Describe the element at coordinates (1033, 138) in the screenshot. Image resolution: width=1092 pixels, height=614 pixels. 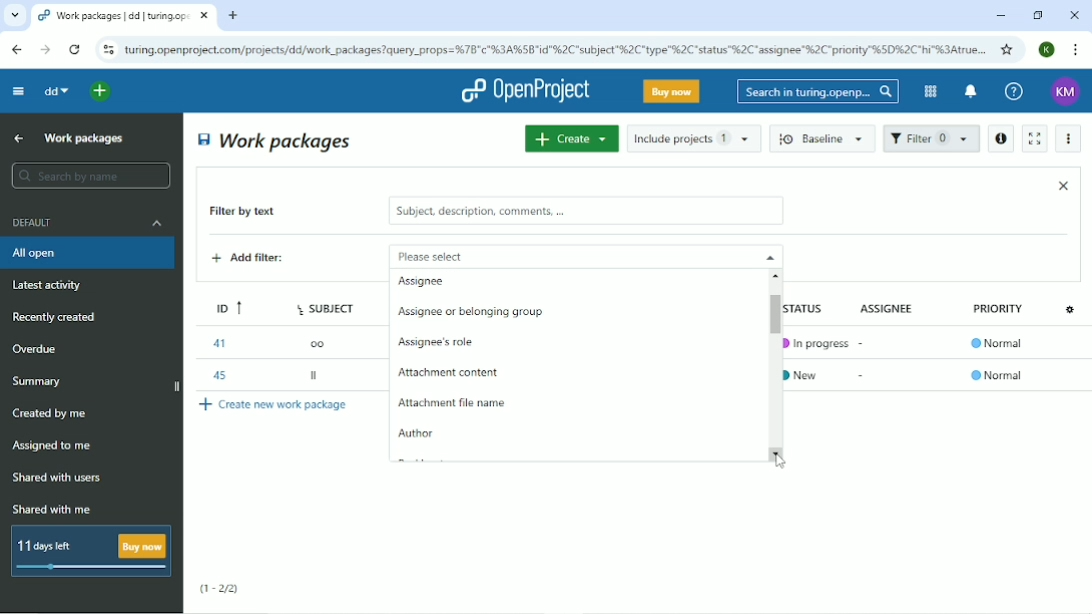
I see `Activate zen mode` at that location.